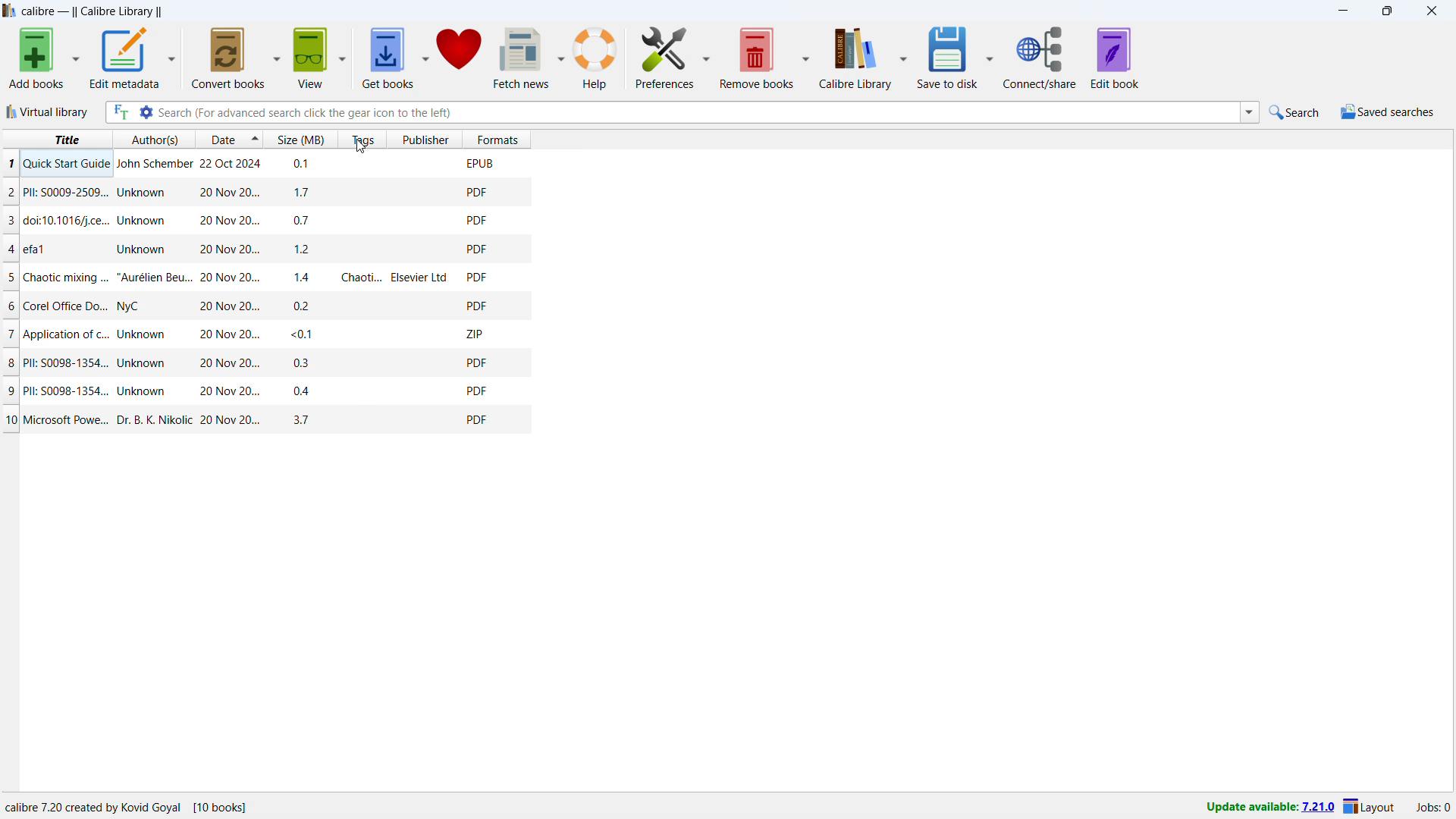  What do you see at coordinates (561, 58) in the screenshot?
I see `fetch news options` at bounding box center [561, 58].